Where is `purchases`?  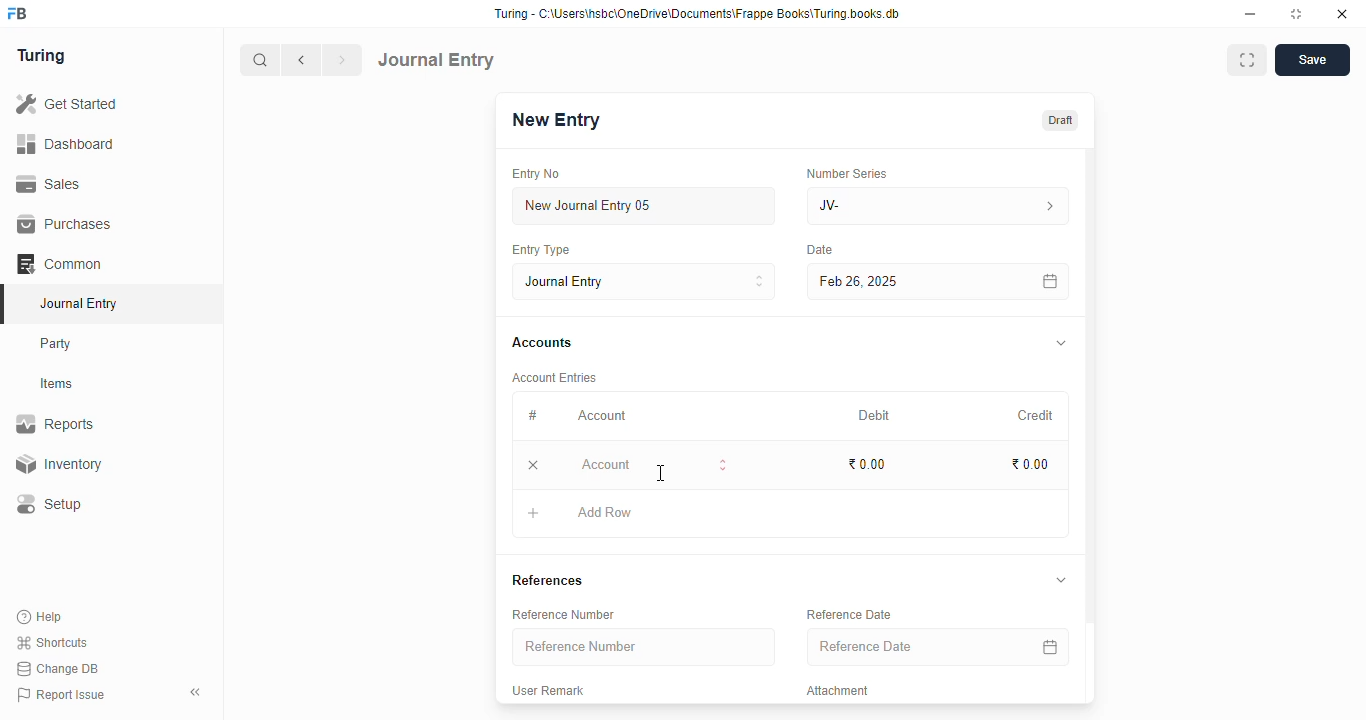
purchases is located at coordinates (64, 224).